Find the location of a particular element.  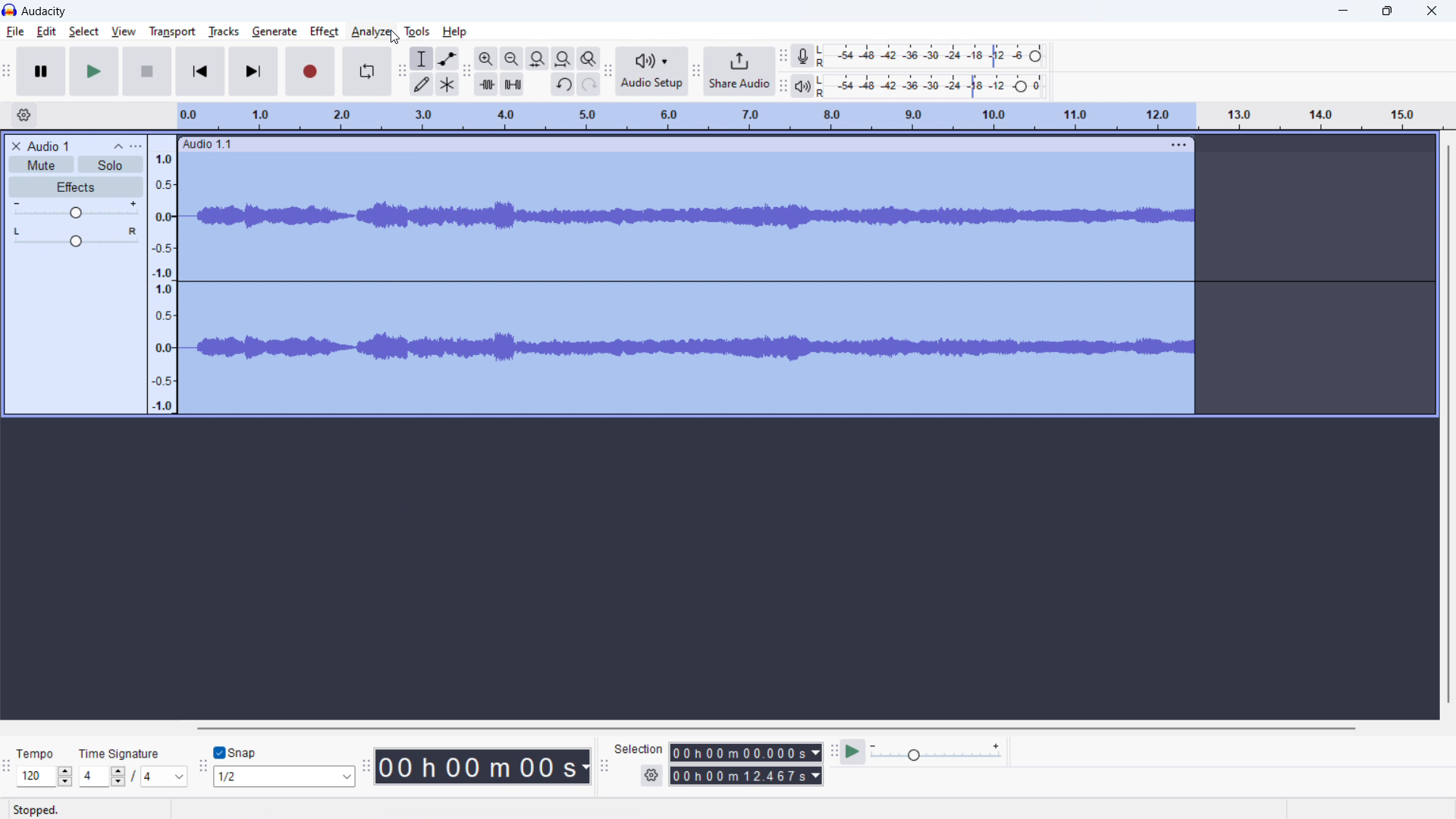

undo is located at coordinates (563, 84).